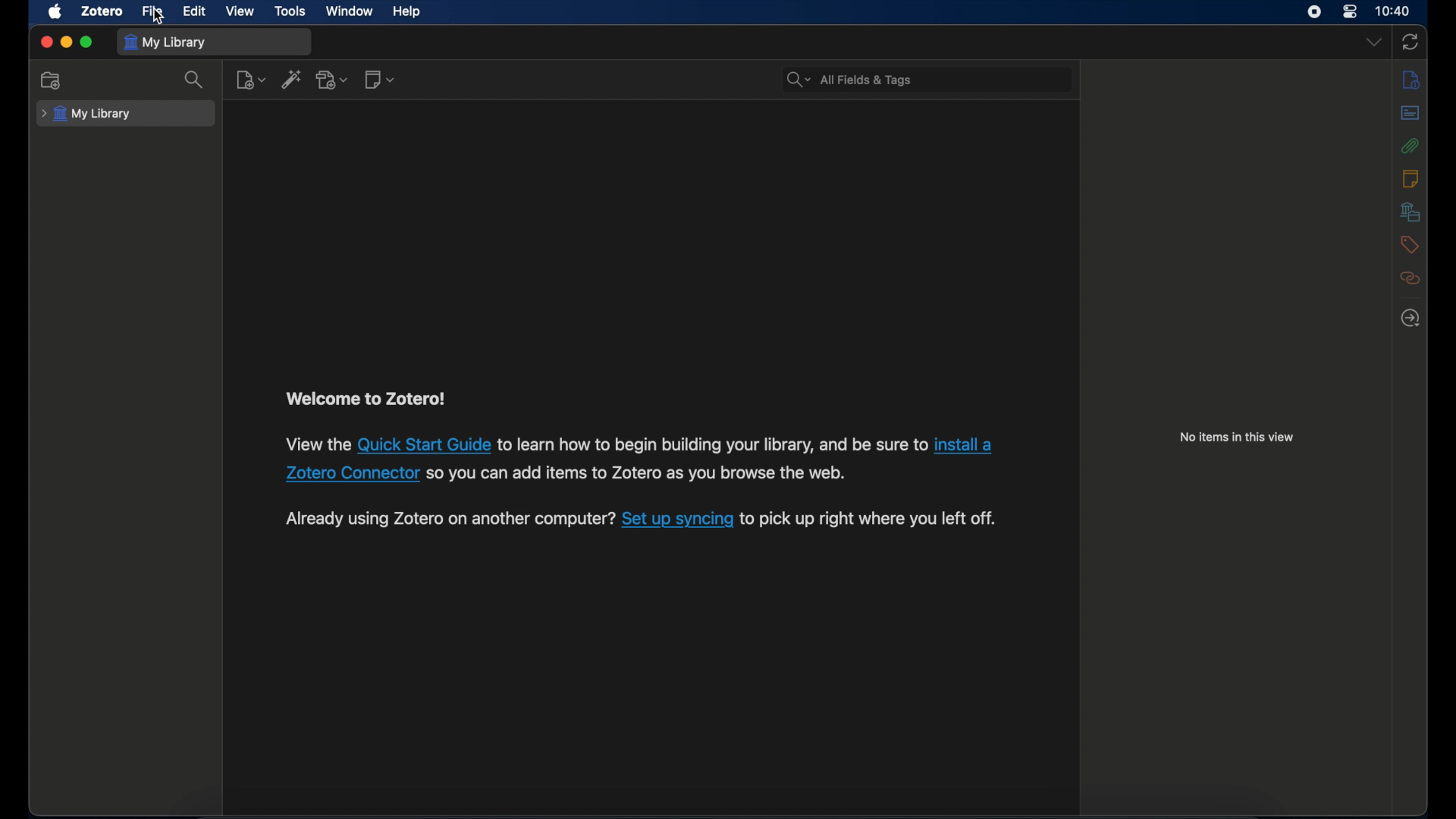 The height and width of the screenshot is (819, 1456). What do you see at coordinates (1410, 146) in the screenshot?
I see `attachments` at bounding box center [1410, 146].